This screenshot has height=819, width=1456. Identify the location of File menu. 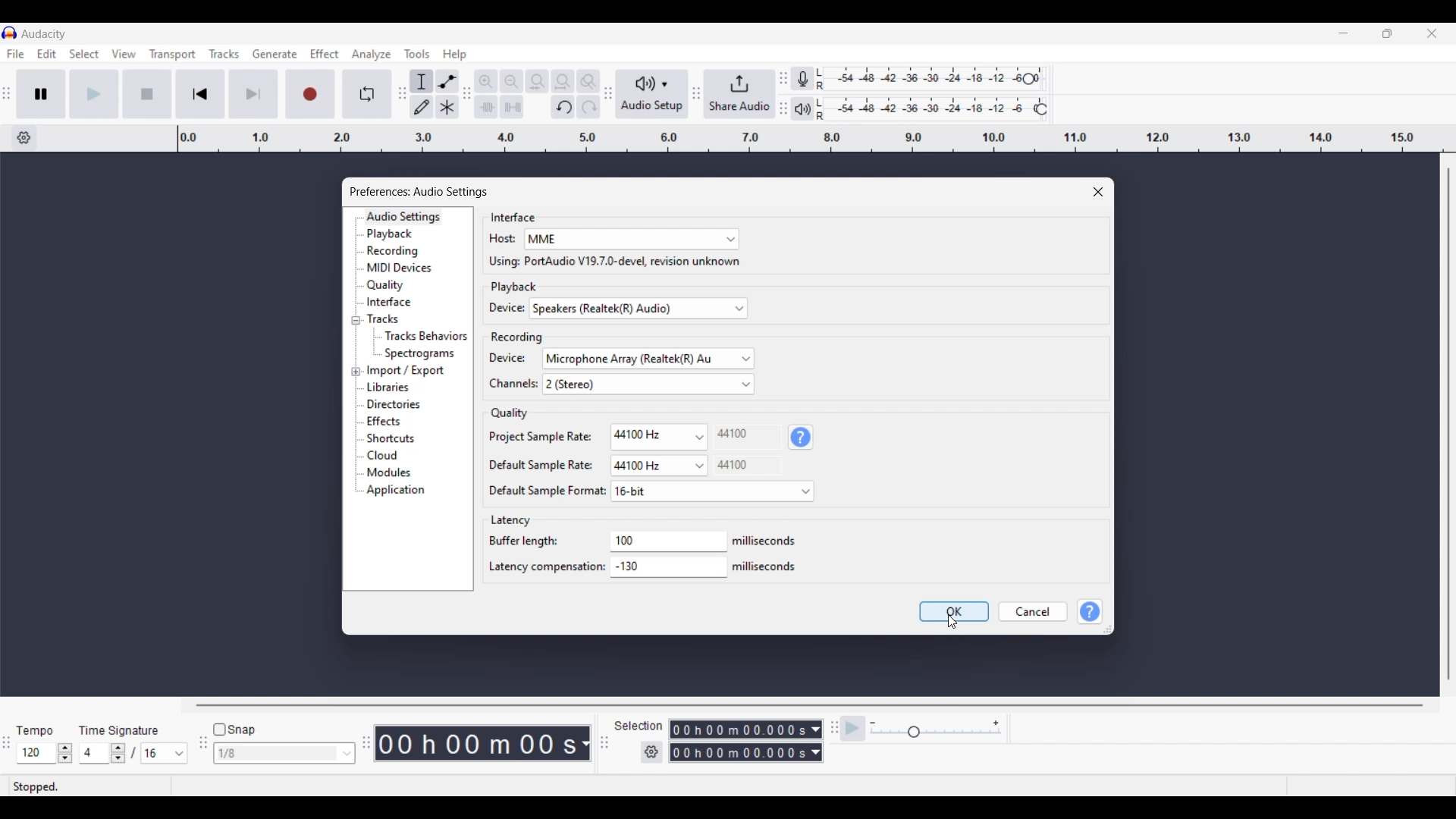
(15, 54).